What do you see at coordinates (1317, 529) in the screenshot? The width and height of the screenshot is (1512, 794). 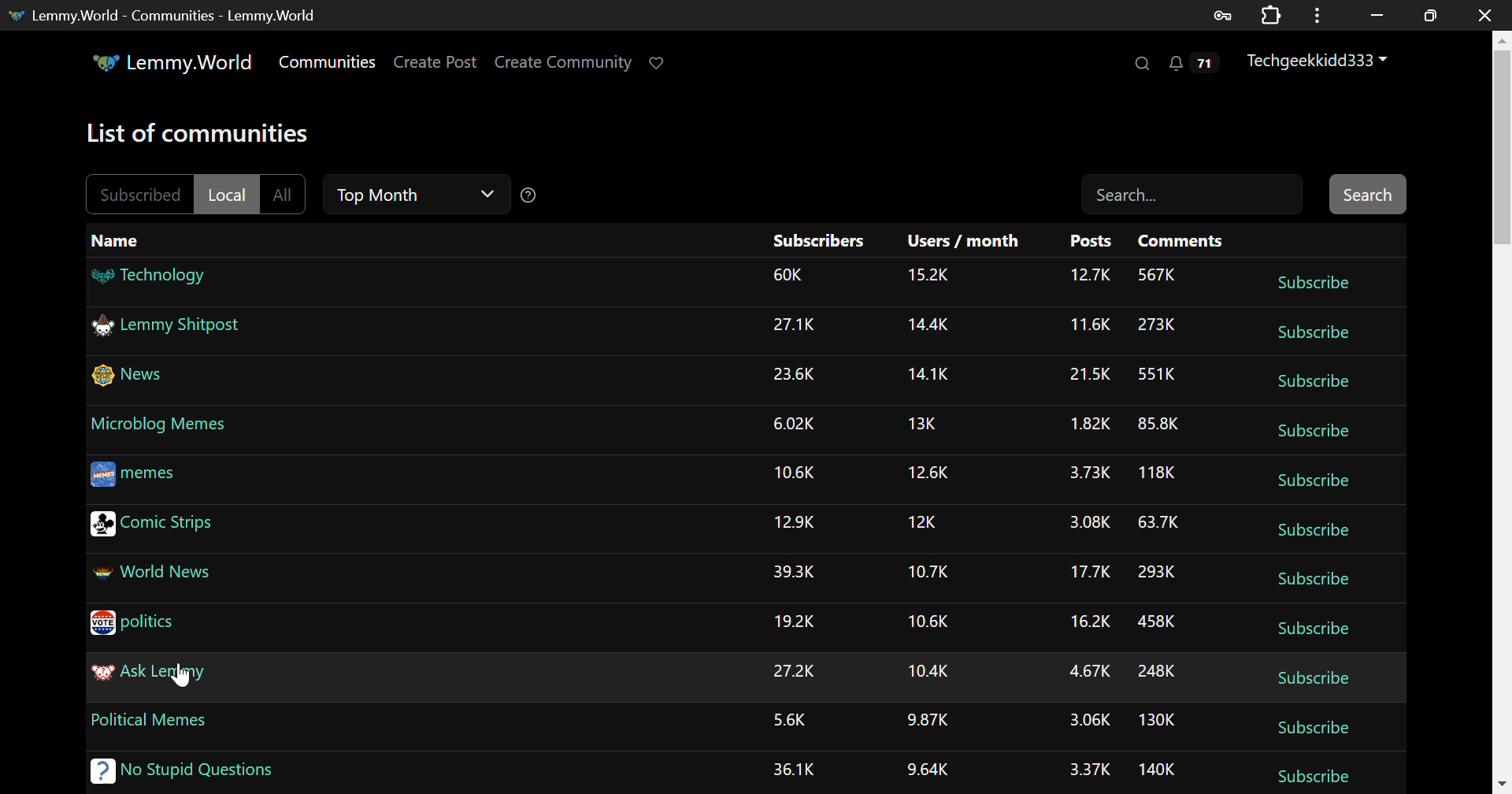 I see `Subscribe` at bounding box center [1317, 529].